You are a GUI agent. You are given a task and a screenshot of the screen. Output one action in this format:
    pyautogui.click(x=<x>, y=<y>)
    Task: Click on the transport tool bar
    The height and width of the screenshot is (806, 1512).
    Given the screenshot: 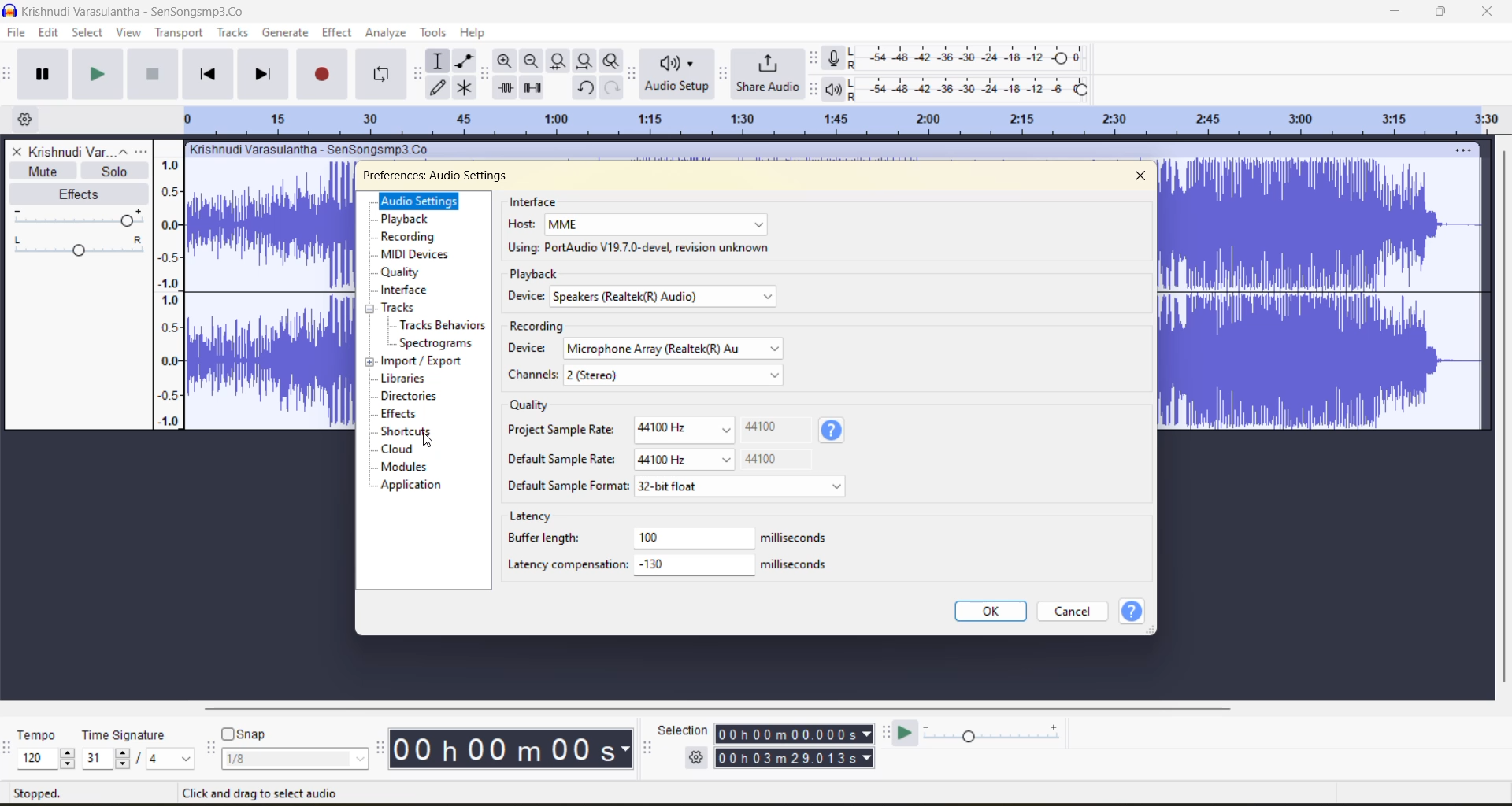 What is the action you would take?
    pyautogui.click(x=10, y=75)
    